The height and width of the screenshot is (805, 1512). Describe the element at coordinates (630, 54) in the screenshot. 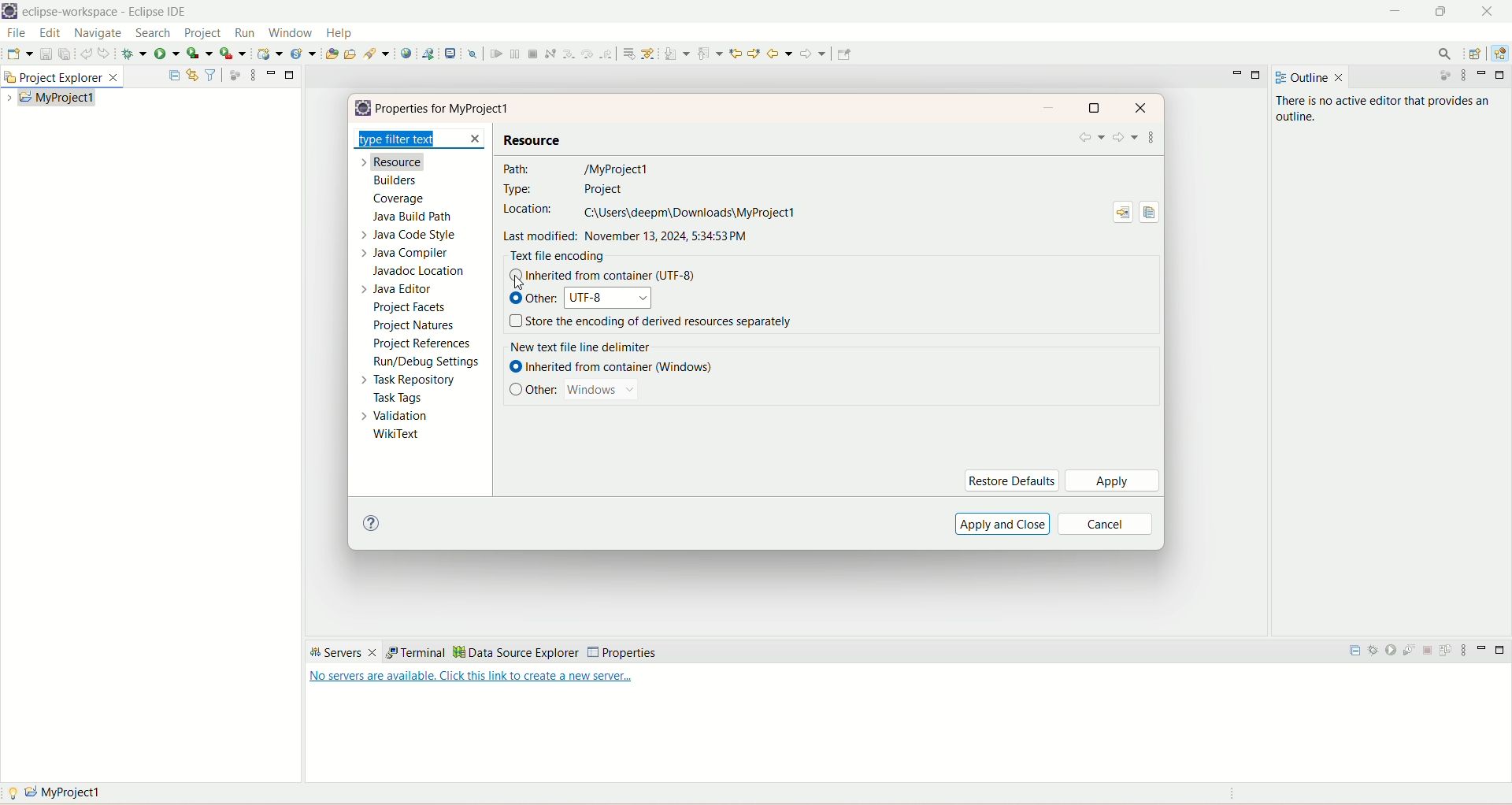

I see `drop to frame` at that location.